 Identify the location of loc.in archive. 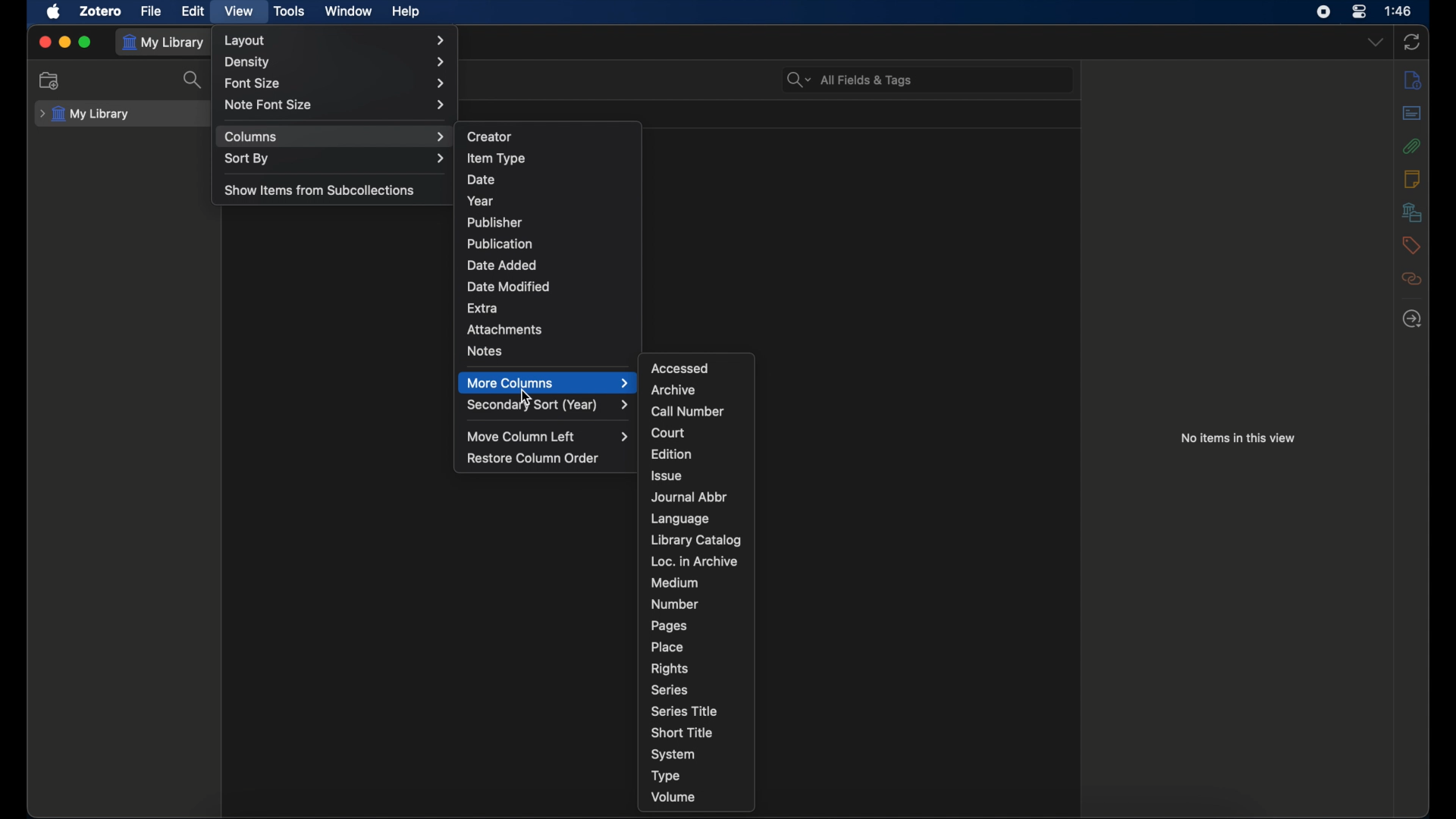
(693, 560).